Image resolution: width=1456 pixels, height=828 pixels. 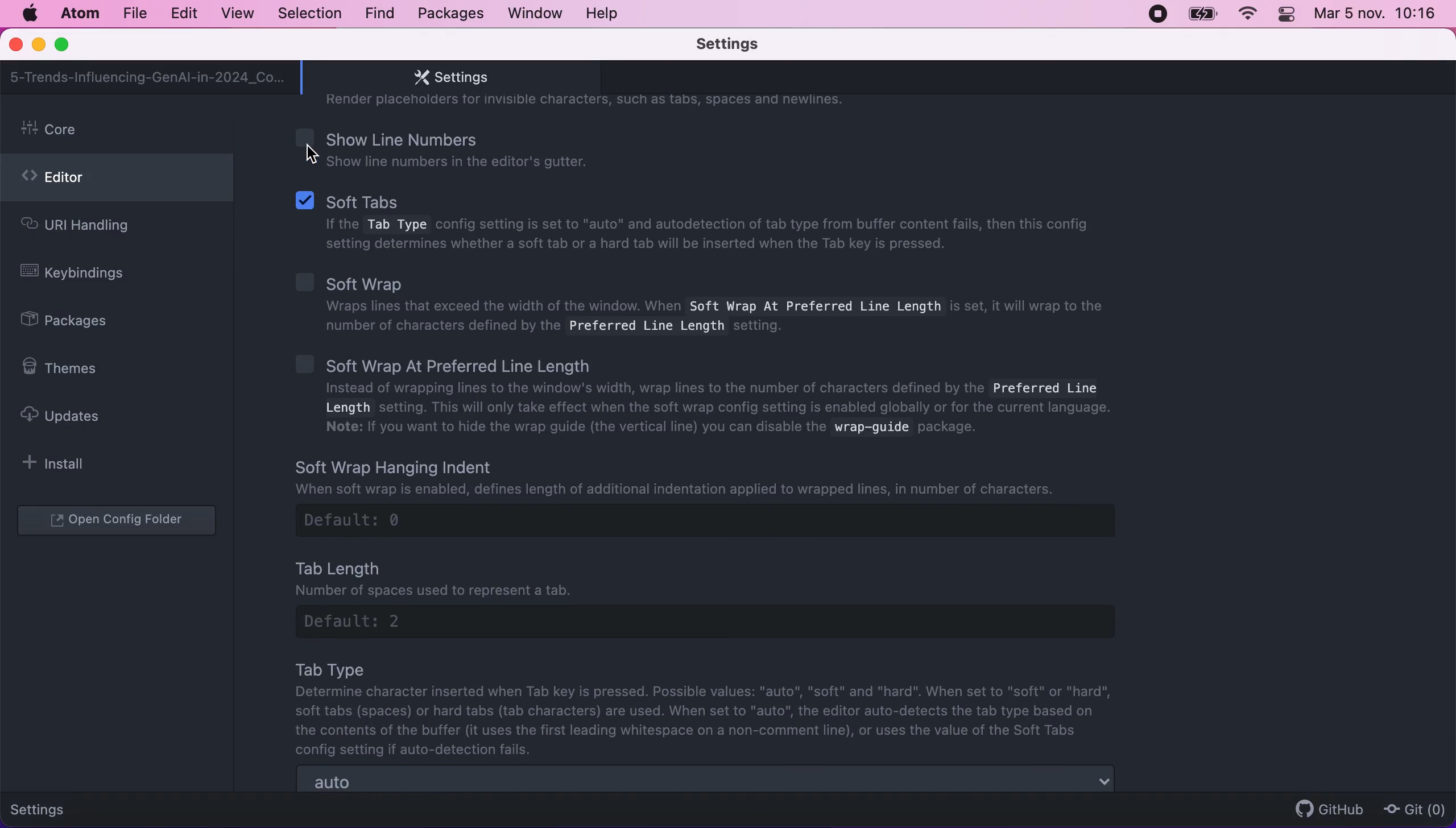 What do you see at coordinates (17, 45) in the screenshot?
I see `close` at bounding box center [17, 45].